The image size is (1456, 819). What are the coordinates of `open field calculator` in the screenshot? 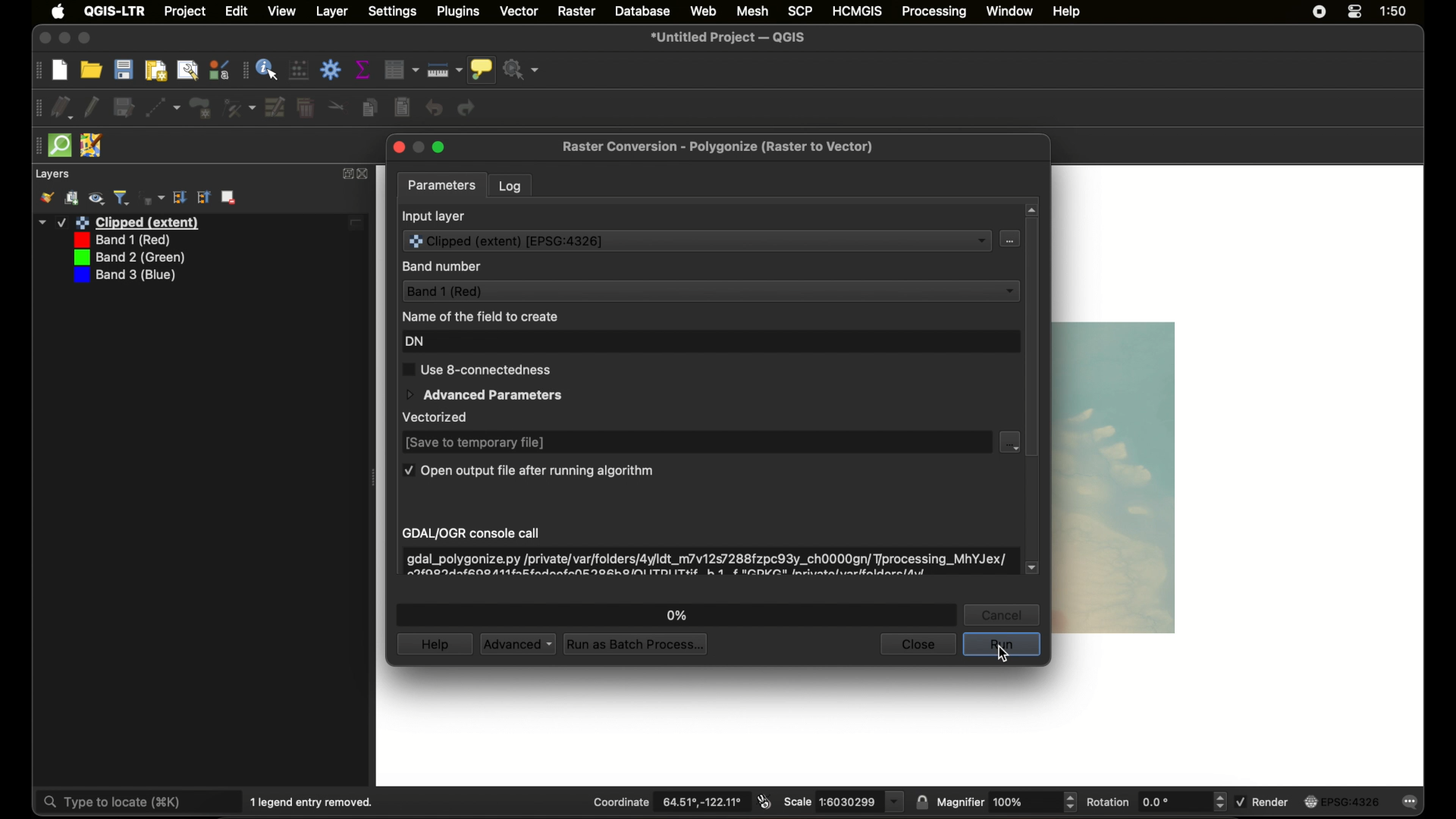 It's located at (298, 69).